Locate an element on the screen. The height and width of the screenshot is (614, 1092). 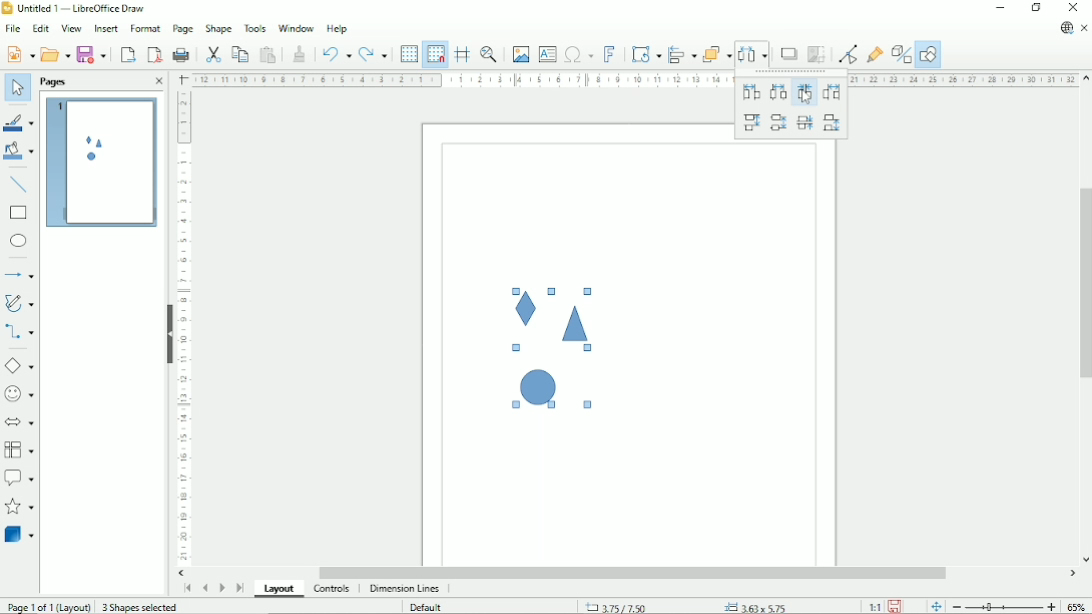
Scroll to previous page is located at coordinates (204, 589).